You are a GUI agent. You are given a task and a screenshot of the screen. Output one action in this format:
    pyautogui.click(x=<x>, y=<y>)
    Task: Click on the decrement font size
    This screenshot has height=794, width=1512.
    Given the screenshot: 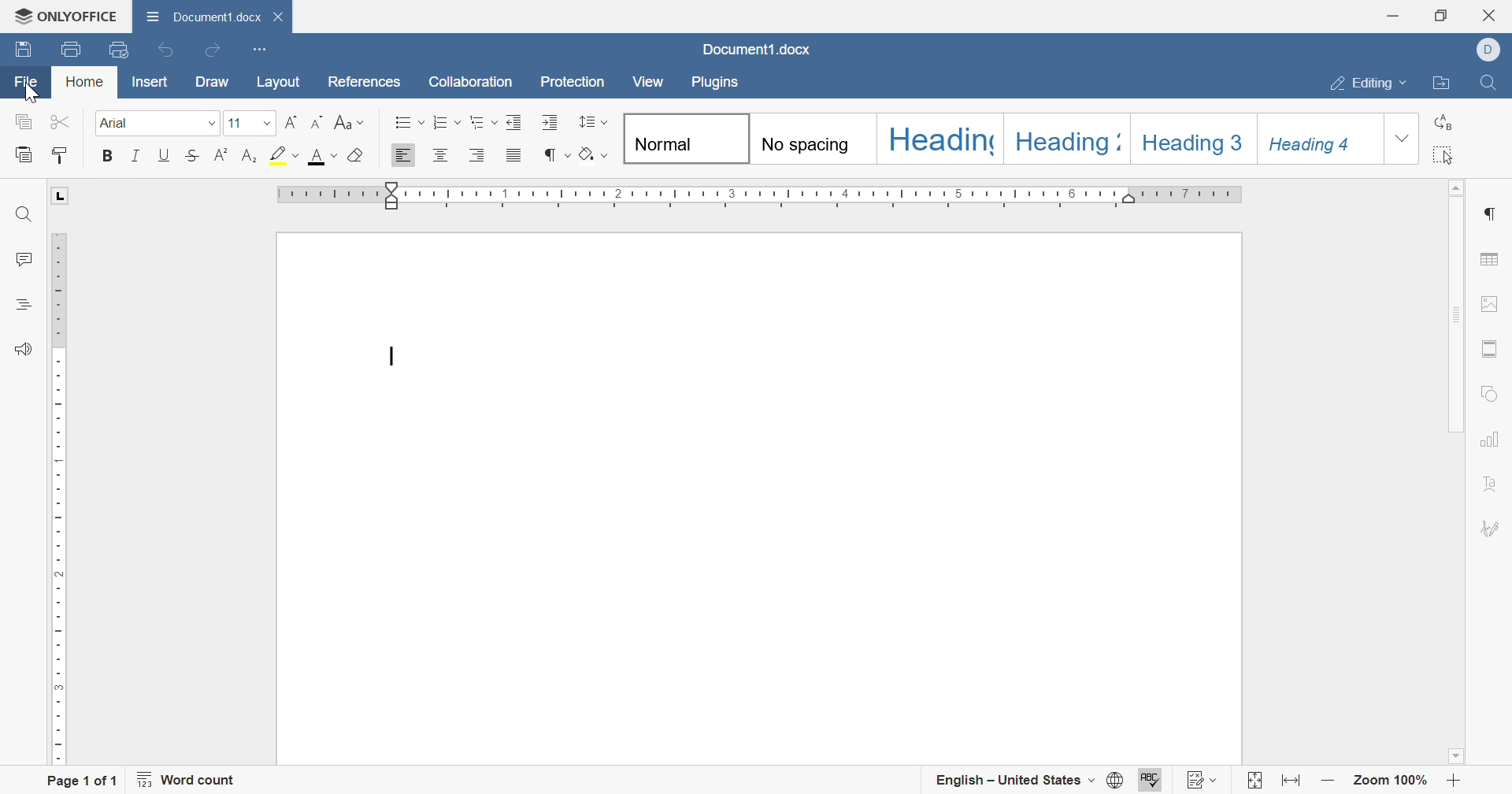 What is the action you would take?
    pyautogui.click(x=319, y=123)
    